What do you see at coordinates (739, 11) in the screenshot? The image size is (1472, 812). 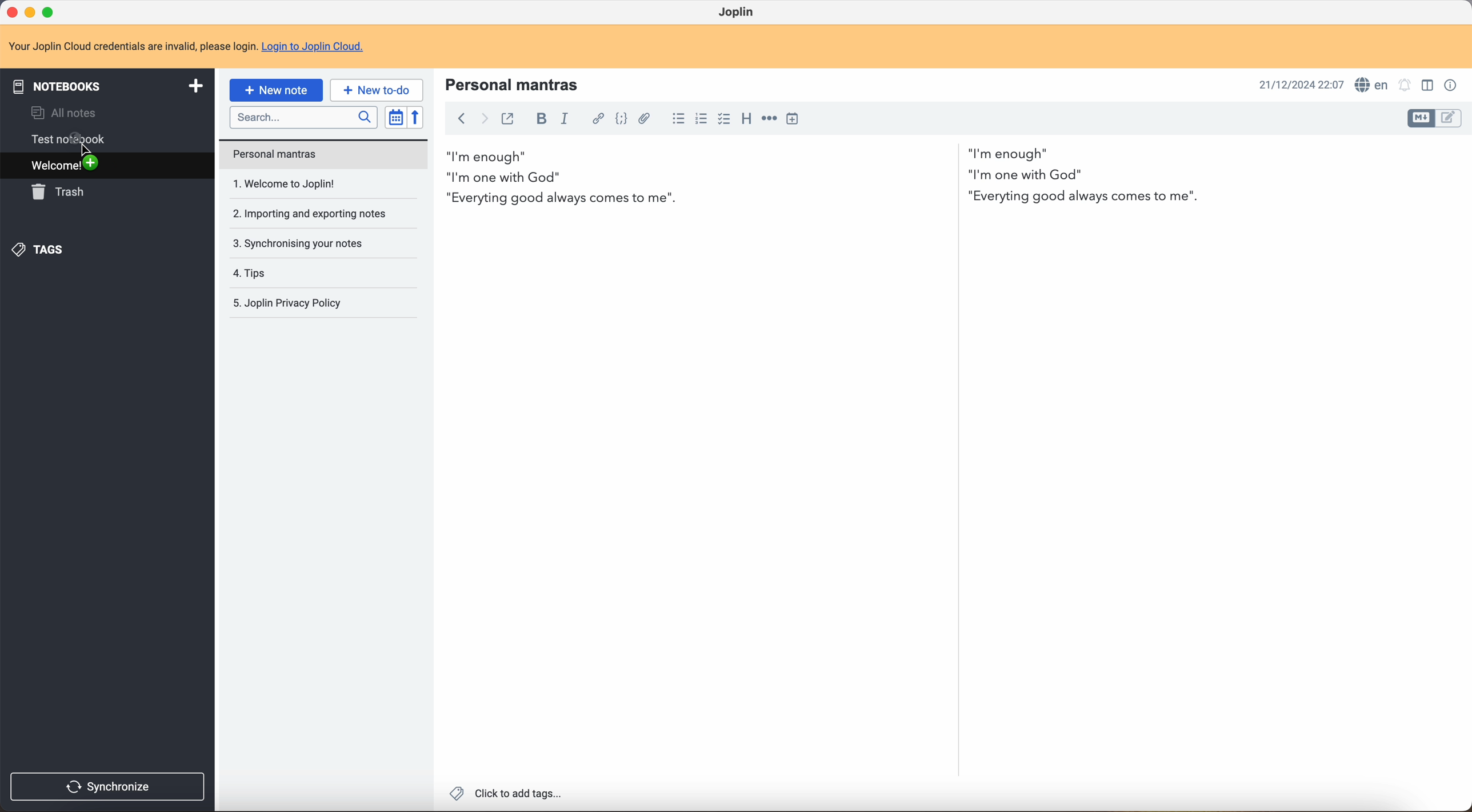 I see `Joplin` at bounding box center [739, 11].